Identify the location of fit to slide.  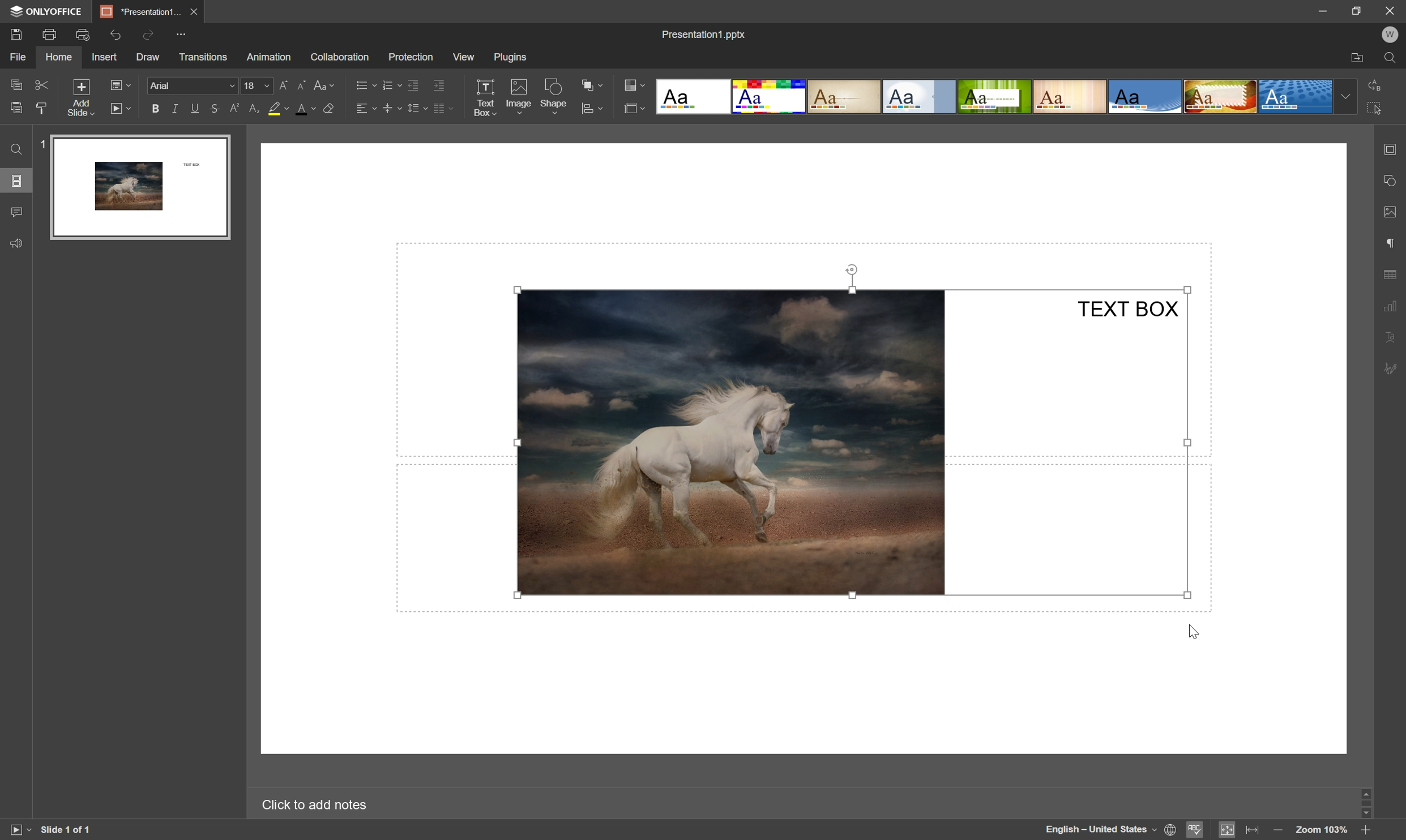
(1226, 831).